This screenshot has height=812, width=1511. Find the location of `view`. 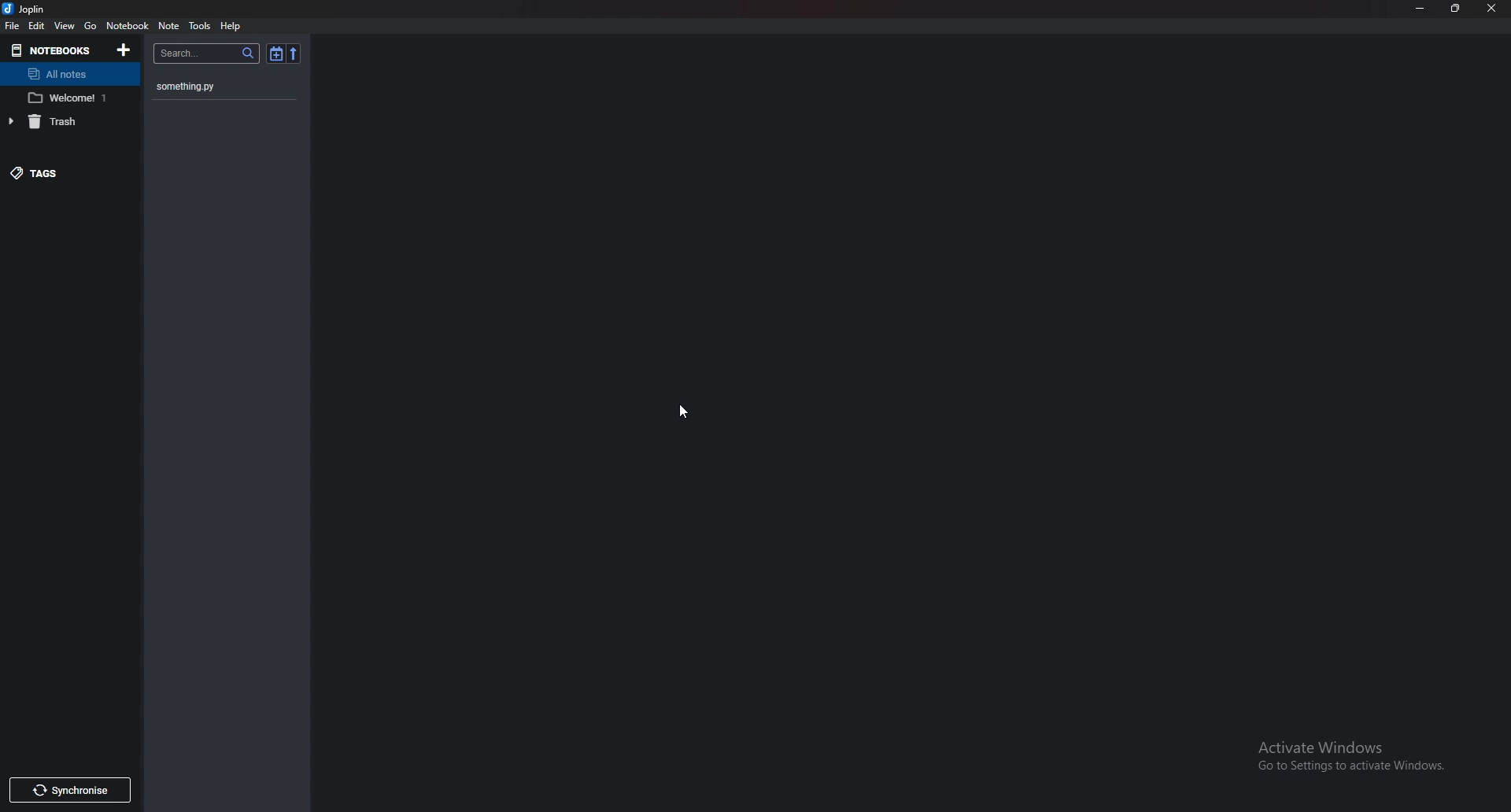

view is located at coordinates (65, 26).